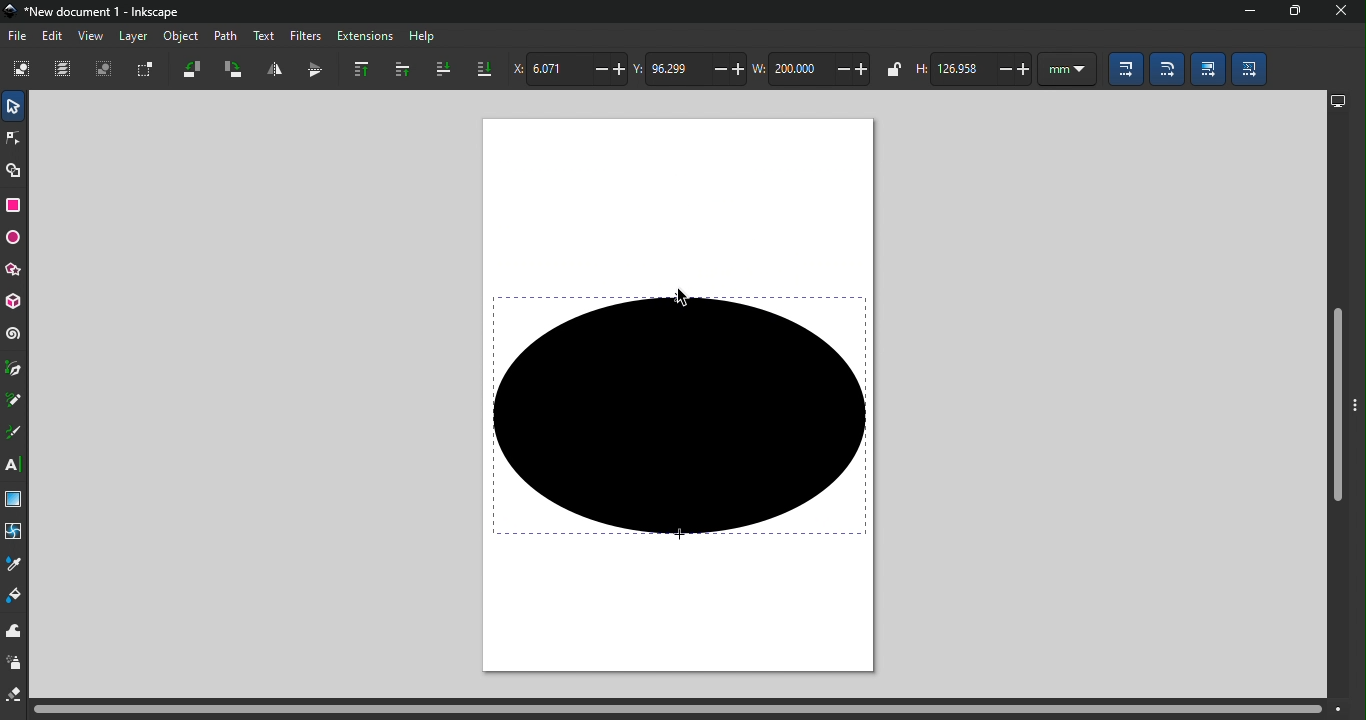 The image size is (1366, 720). I want to click on Object flip vertical, so click(313, 71).